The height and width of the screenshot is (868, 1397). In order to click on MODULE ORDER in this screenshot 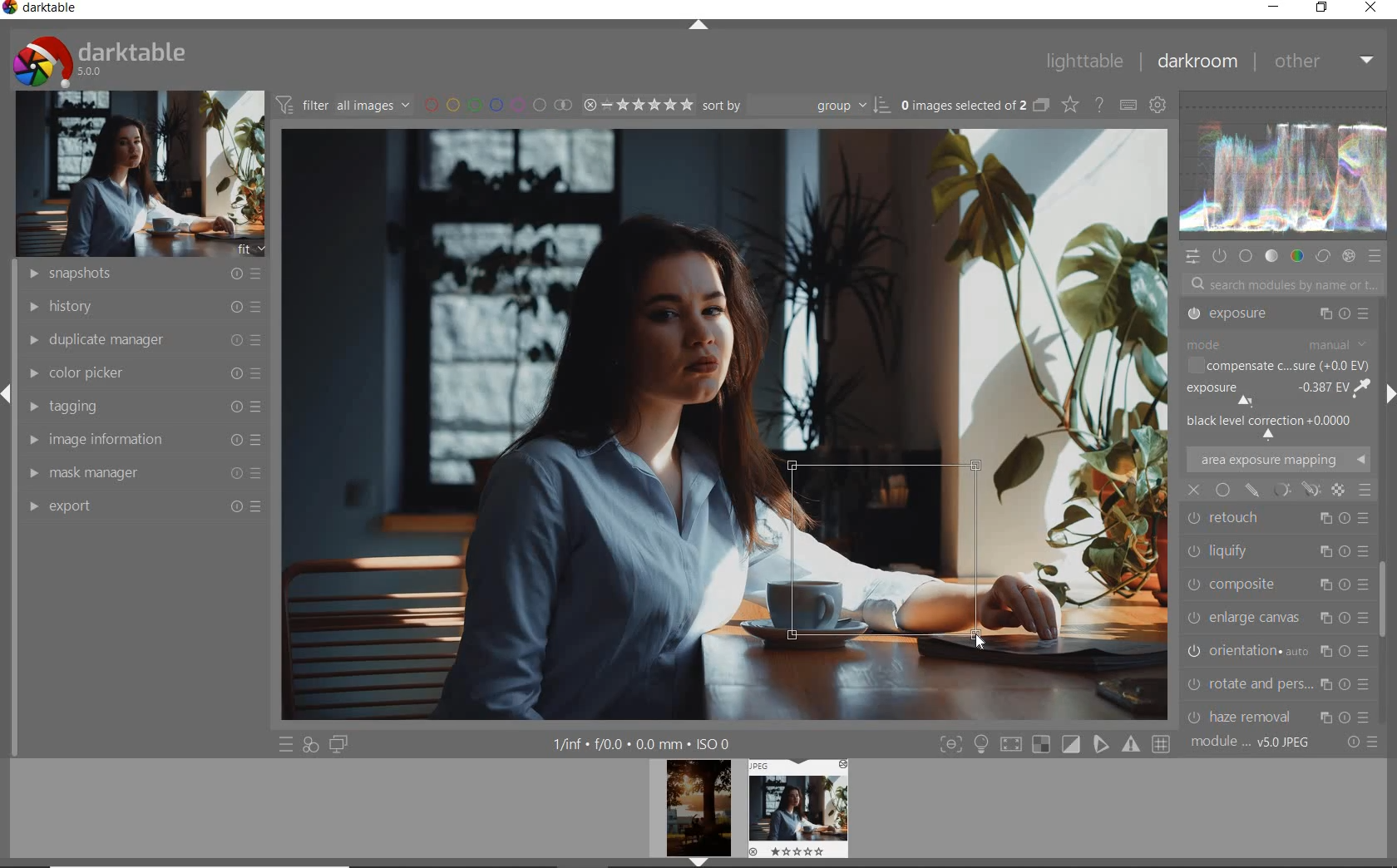, I will do `click(1251, 743)`.